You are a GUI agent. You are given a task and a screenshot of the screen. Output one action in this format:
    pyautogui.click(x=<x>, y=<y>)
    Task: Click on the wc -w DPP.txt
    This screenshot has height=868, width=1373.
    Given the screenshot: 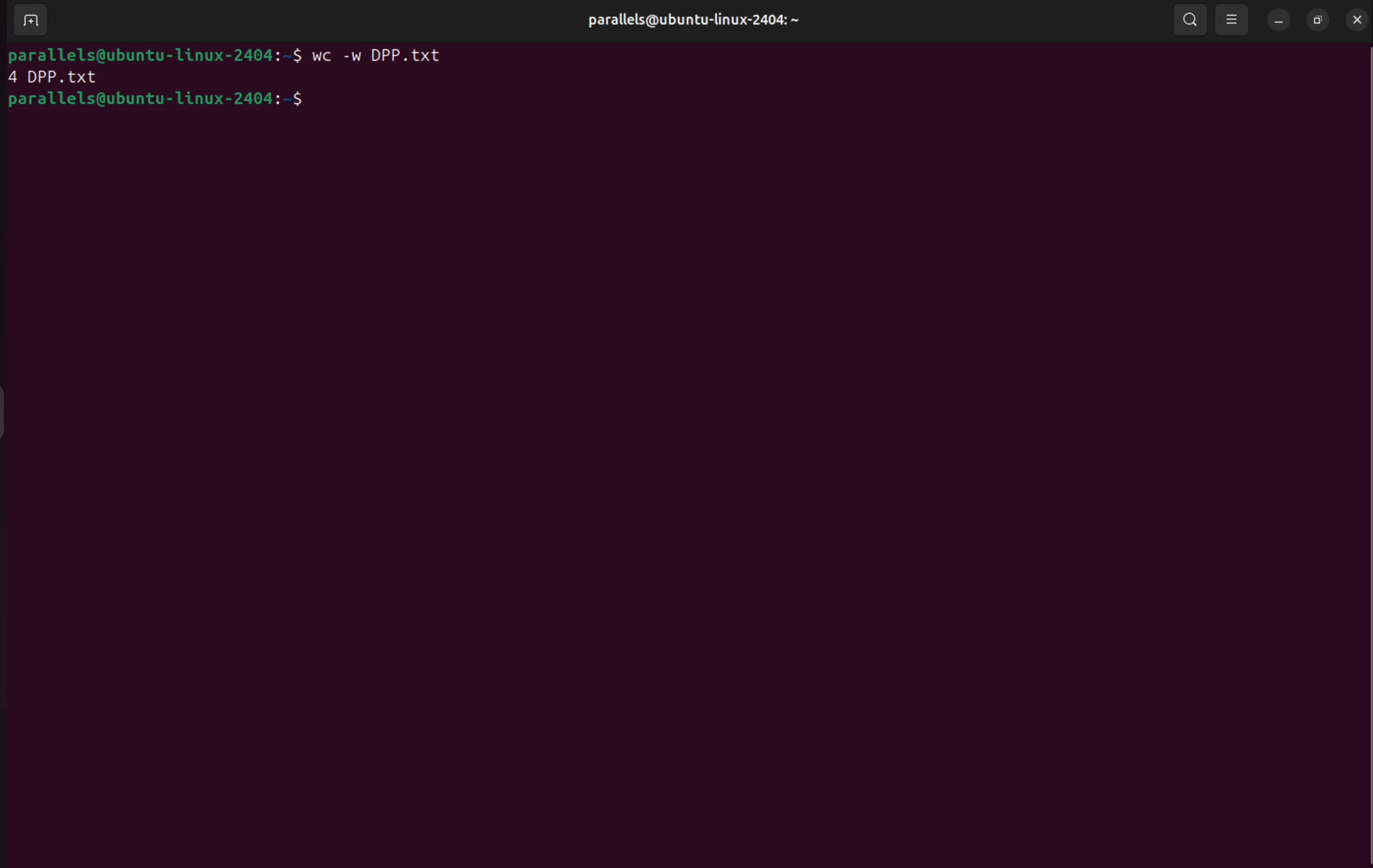 What is the action you would take?
    pyautogui.click(x=390, y=57)
    